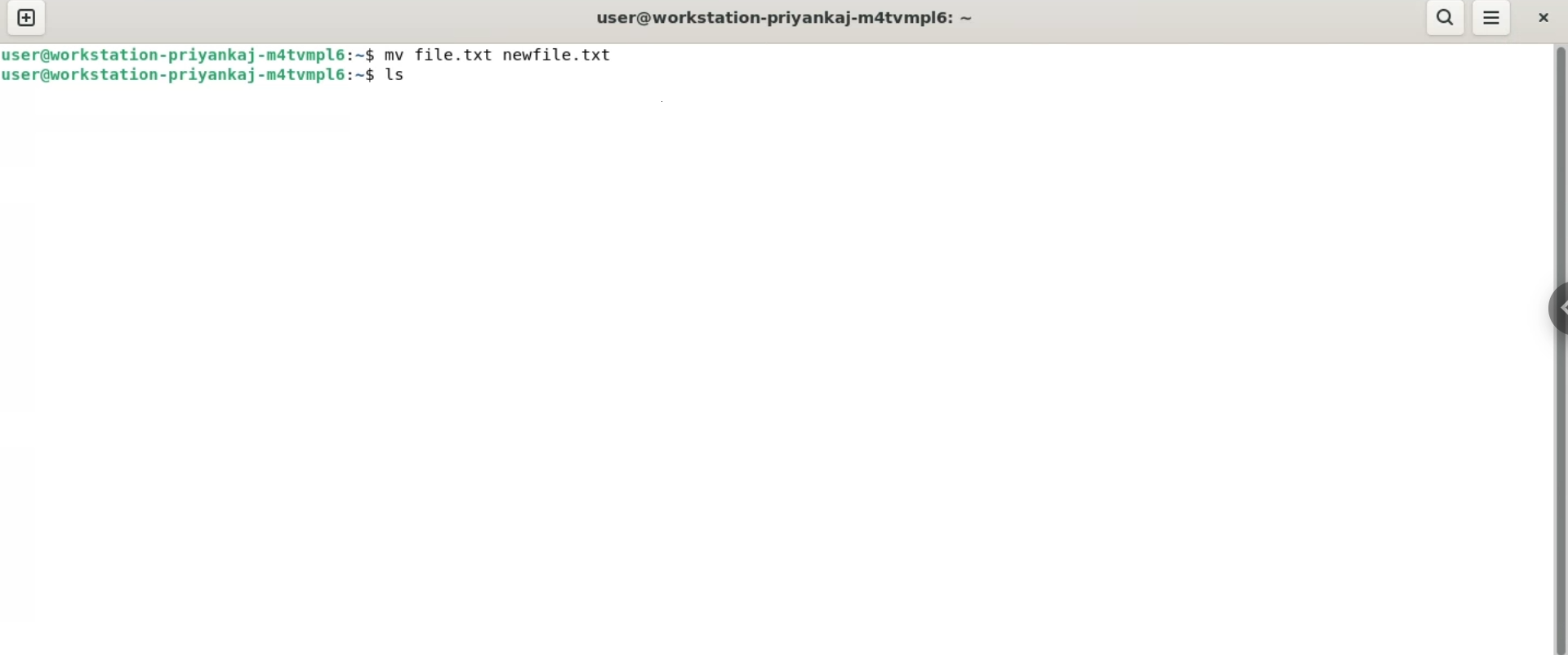 The width and height of the screenshot is (1568, 655). Describe the element at coordinates (782, 16) in the screenshot. I see `user@workstation-priyankaj-matvmpl6:~` at that location.